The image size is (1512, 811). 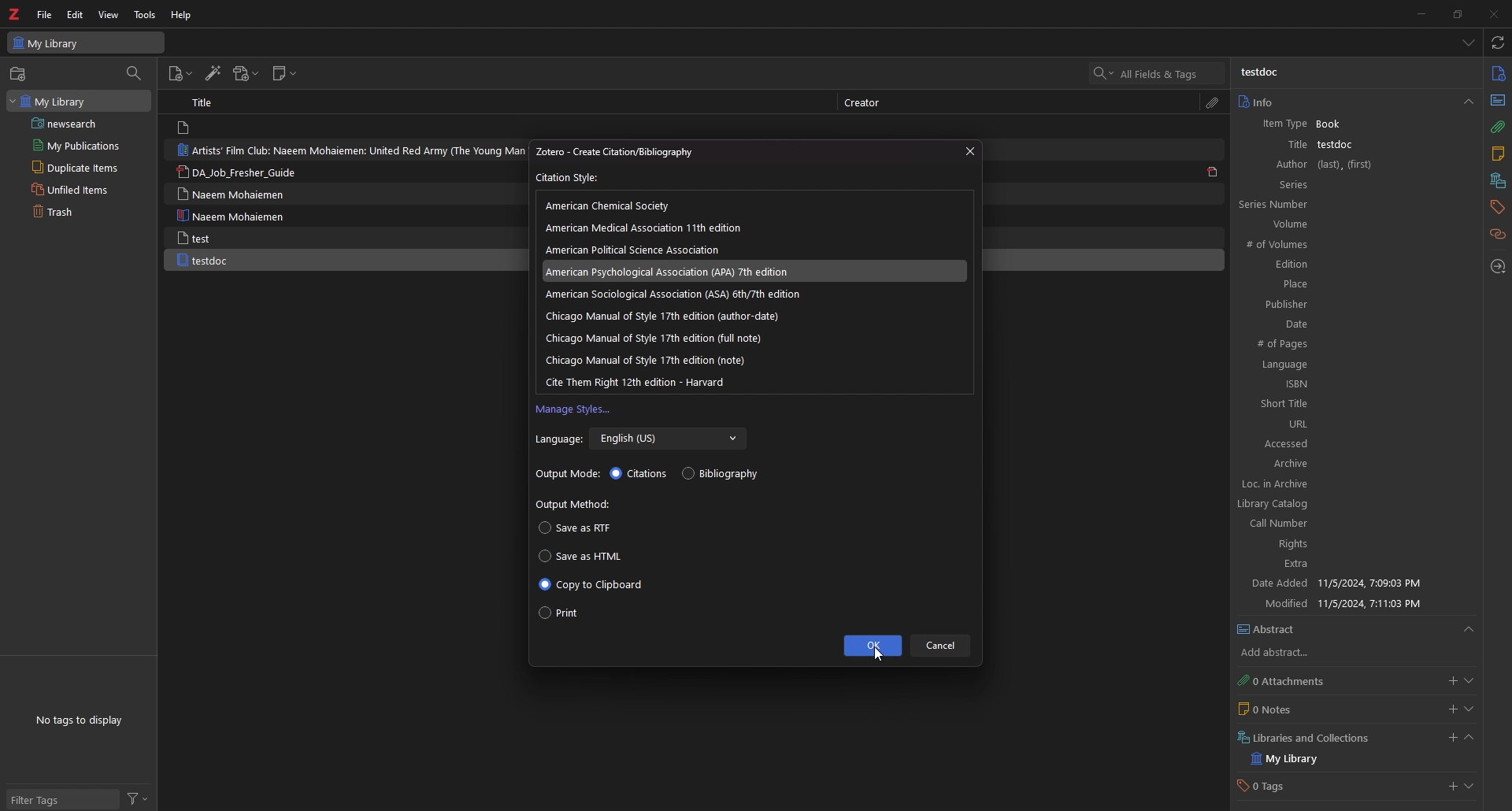 I want to click on minimize, so click(x=1417, y=13).